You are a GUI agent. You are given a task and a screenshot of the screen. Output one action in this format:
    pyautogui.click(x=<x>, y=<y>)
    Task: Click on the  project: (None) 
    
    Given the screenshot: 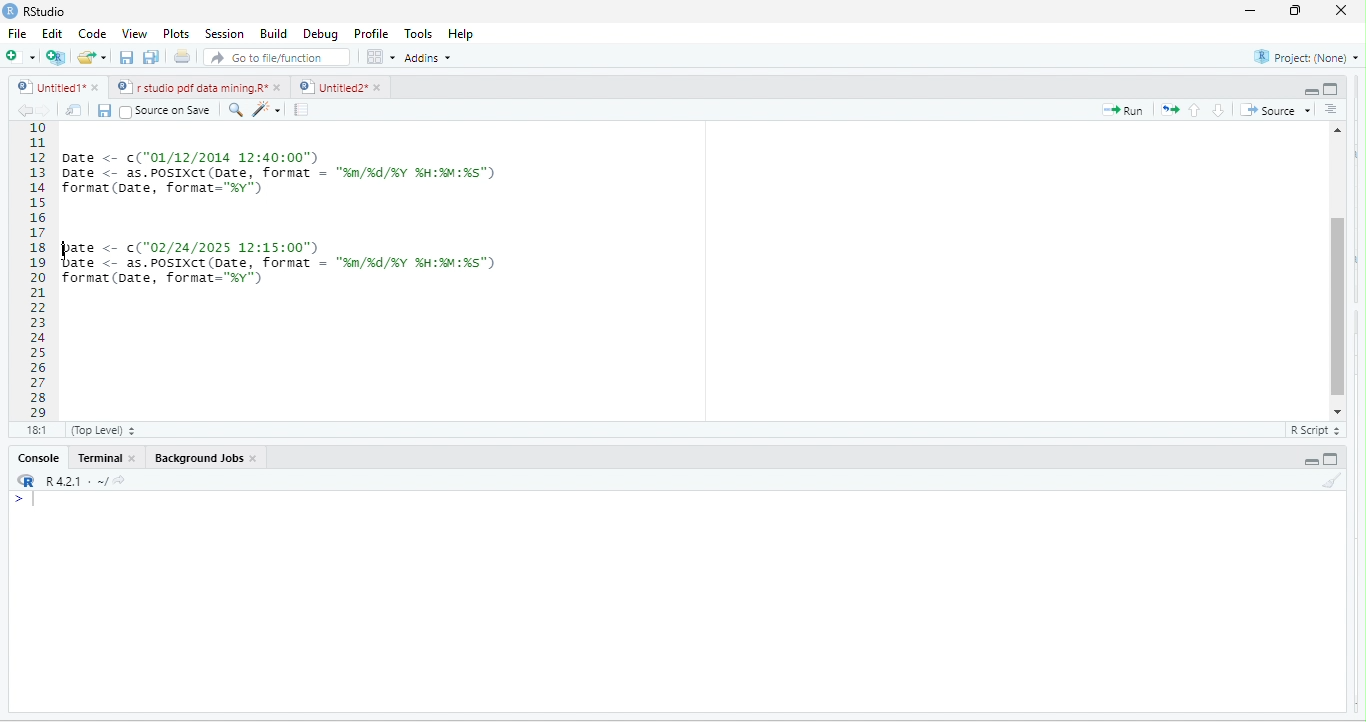 What is the action you would take?
    pyautogui.click(x=1303, y=56)
    